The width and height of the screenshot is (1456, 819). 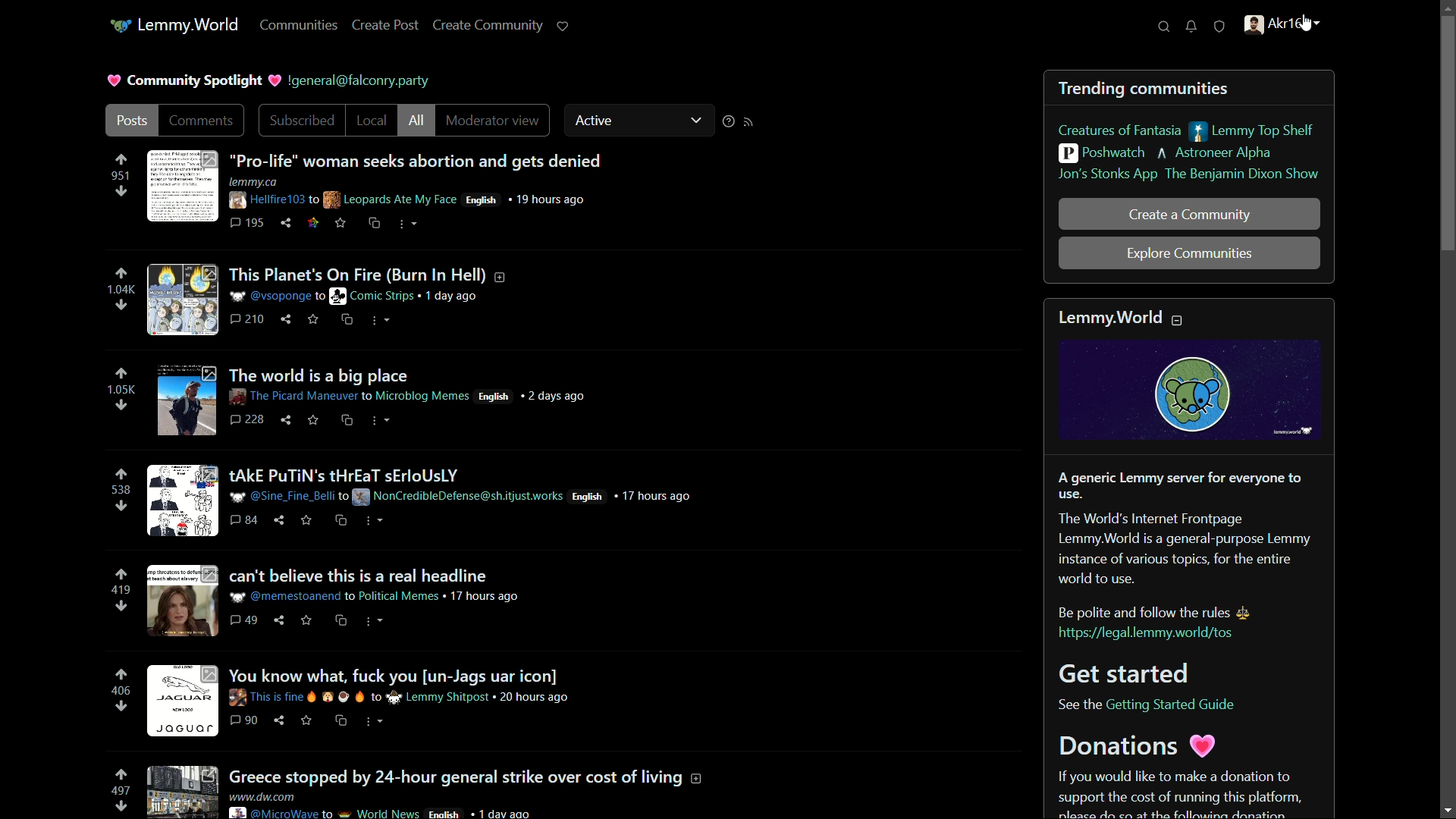 What do you see at coordinates (130, 121) in the screenshot?
I see `posts` at bounding box center [130, 121].